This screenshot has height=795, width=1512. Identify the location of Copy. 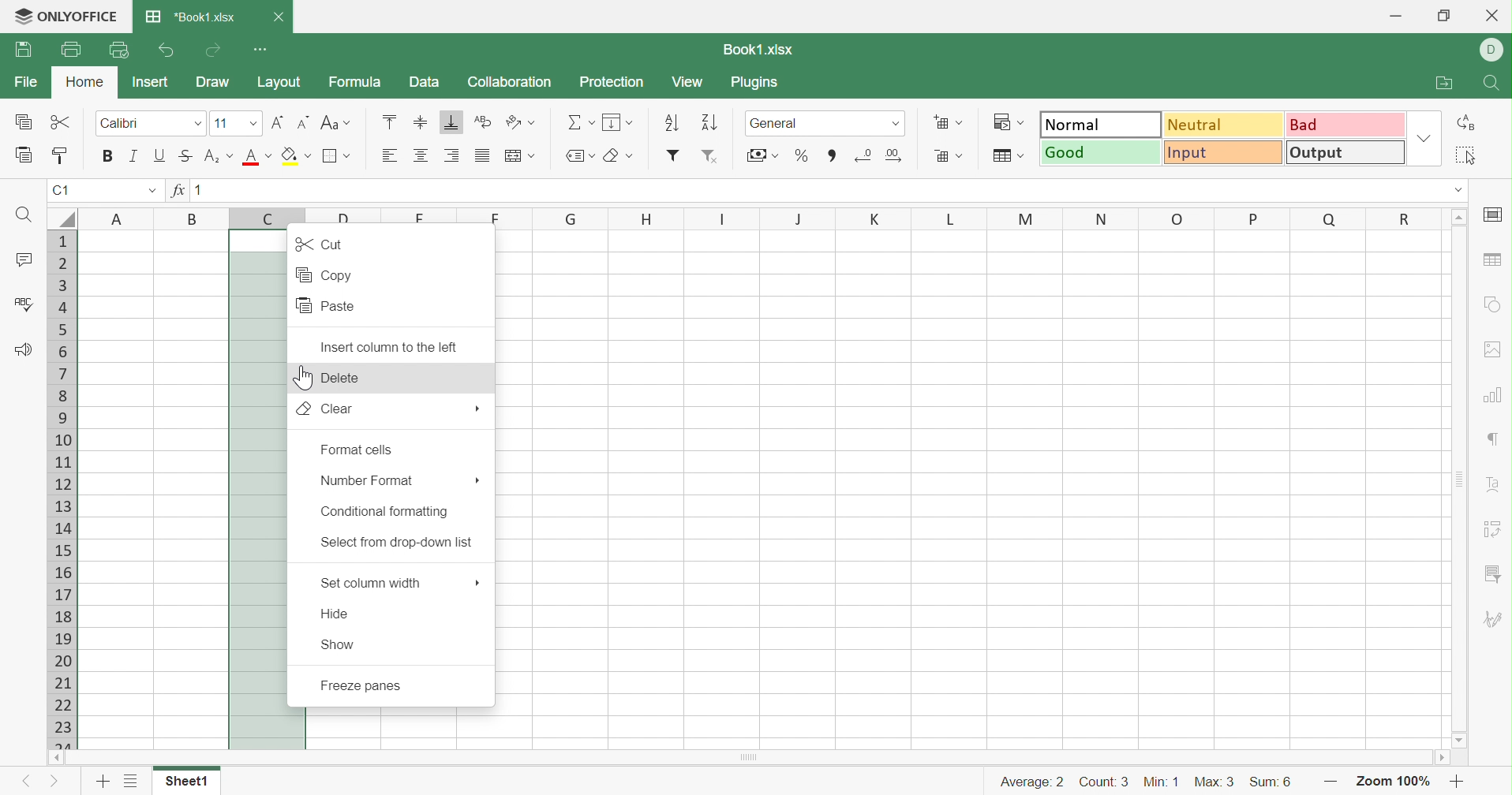
(328, 273).